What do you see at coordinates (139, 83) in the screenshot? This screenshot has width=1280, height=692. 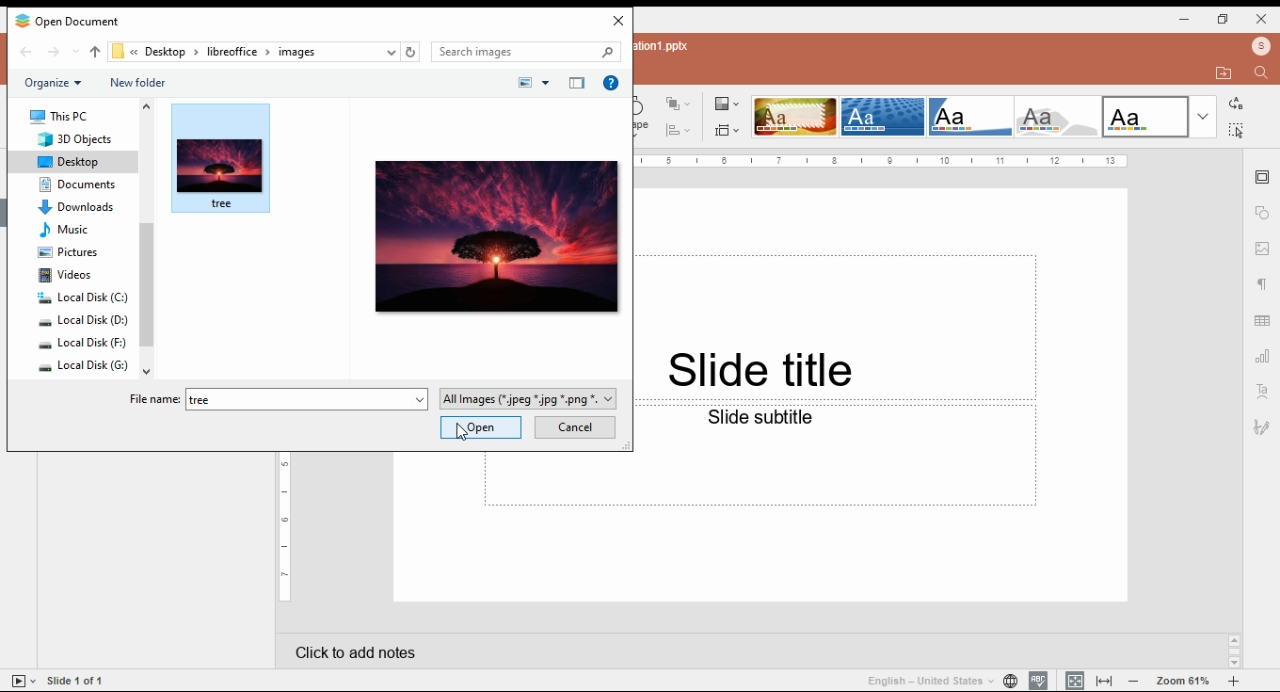 I see `new folder` at bounding box center [139, 83].